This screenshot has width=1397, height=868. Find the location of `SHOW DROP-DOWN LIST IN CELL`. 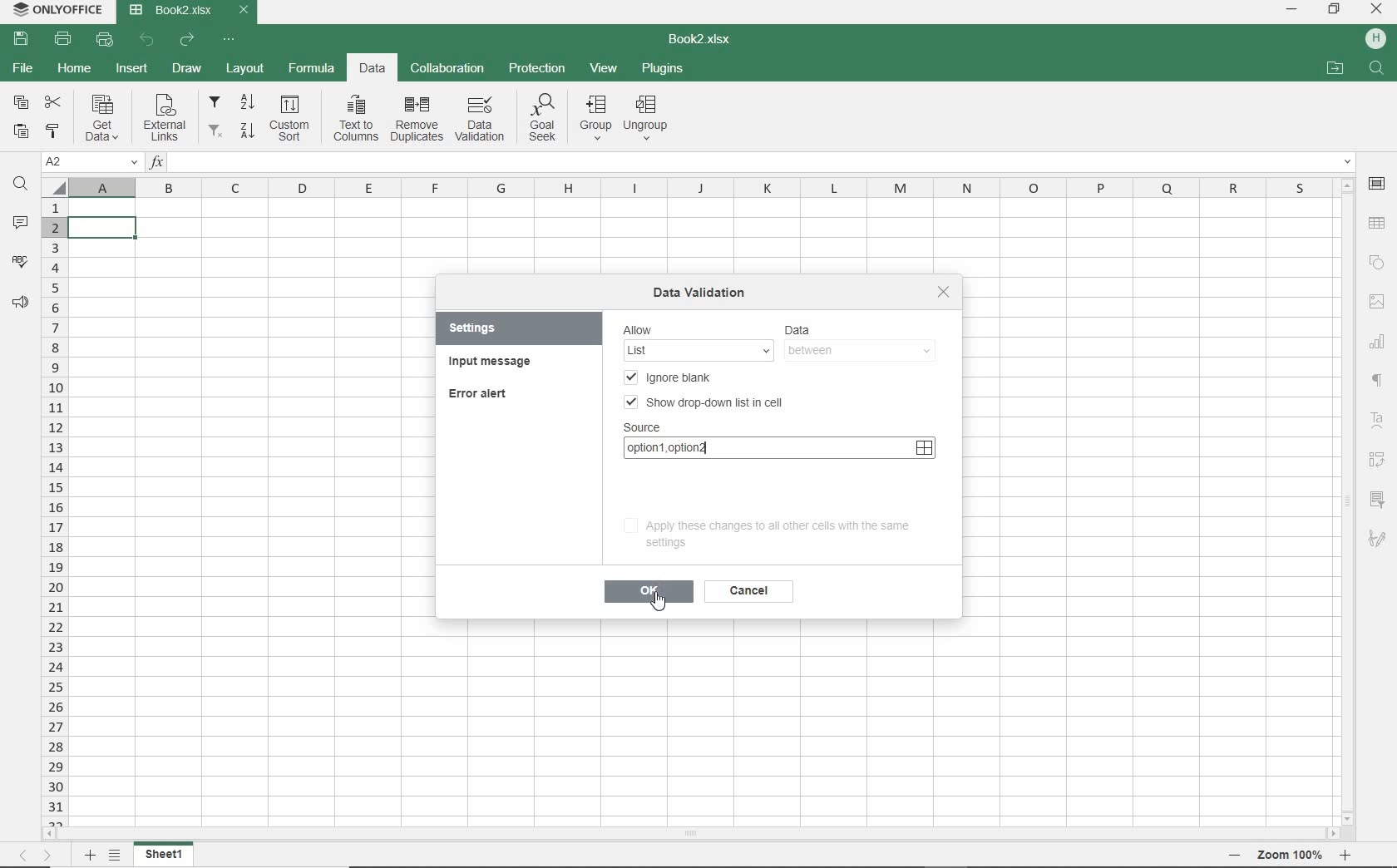

SHOW DROP-DOWN LIST IN CELL is located at coordinates (704, 401).